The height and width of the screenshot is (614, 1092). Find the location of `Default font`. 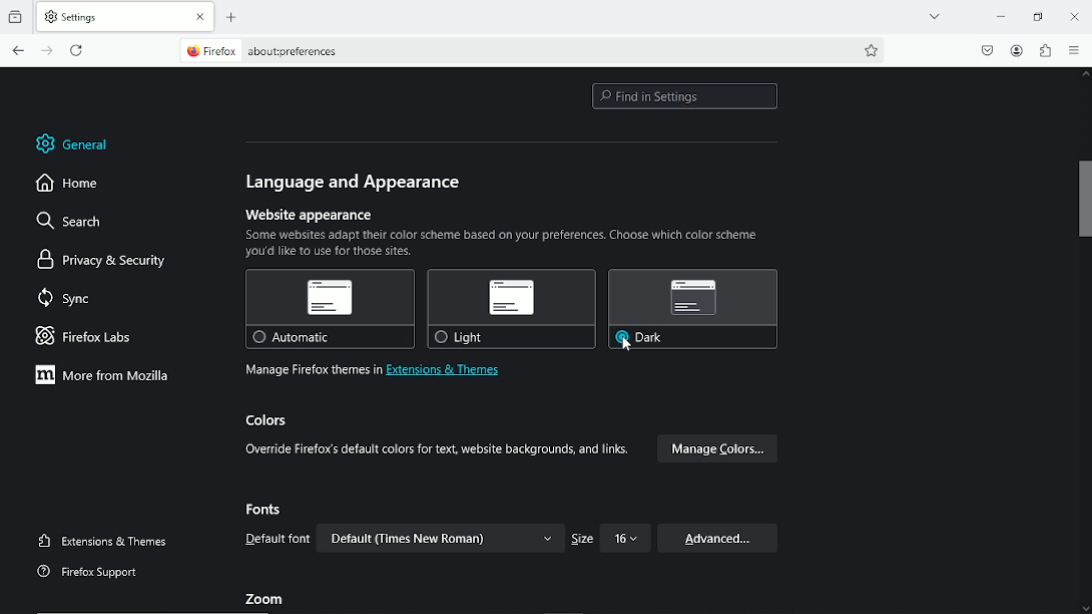

Default font is located at coordinates (262, 539).